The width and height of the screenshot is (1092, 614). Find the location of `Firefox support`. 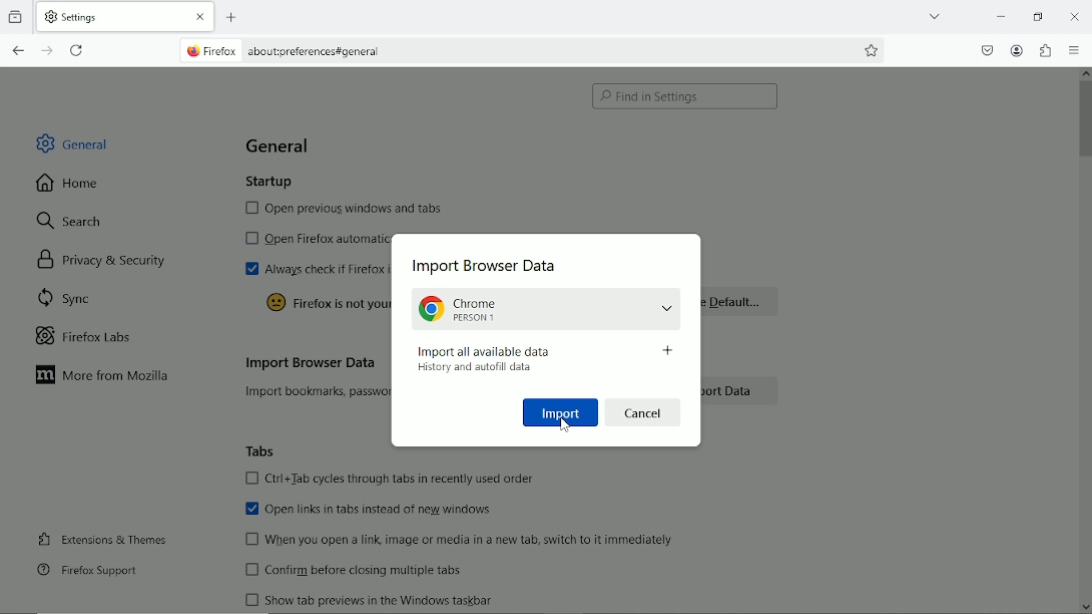

Firefox support is located at coordinates (86, 570).